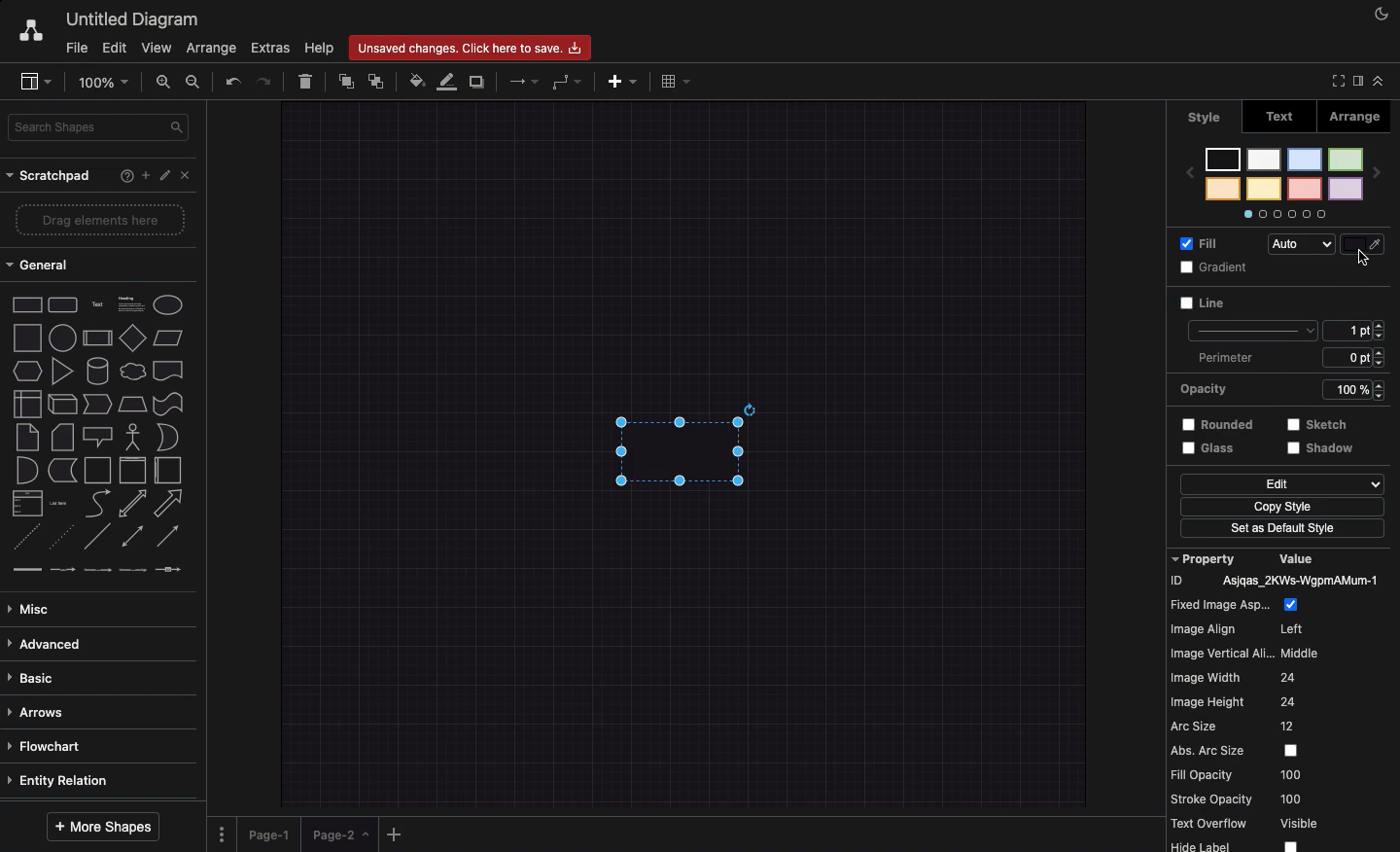  I want to click on ellipse, so click(168, 302).